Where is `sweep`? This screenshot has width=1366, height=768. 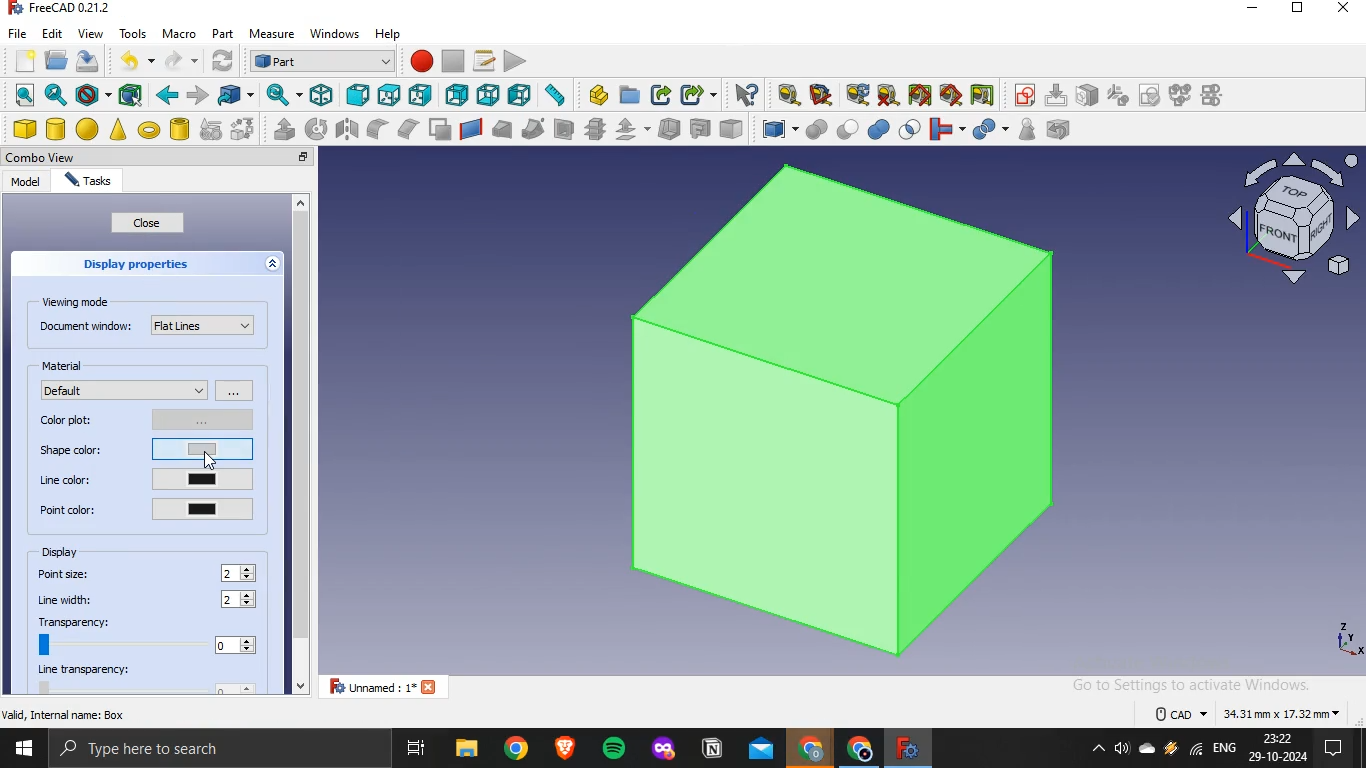 sweep is located at coordinates (533, 128).